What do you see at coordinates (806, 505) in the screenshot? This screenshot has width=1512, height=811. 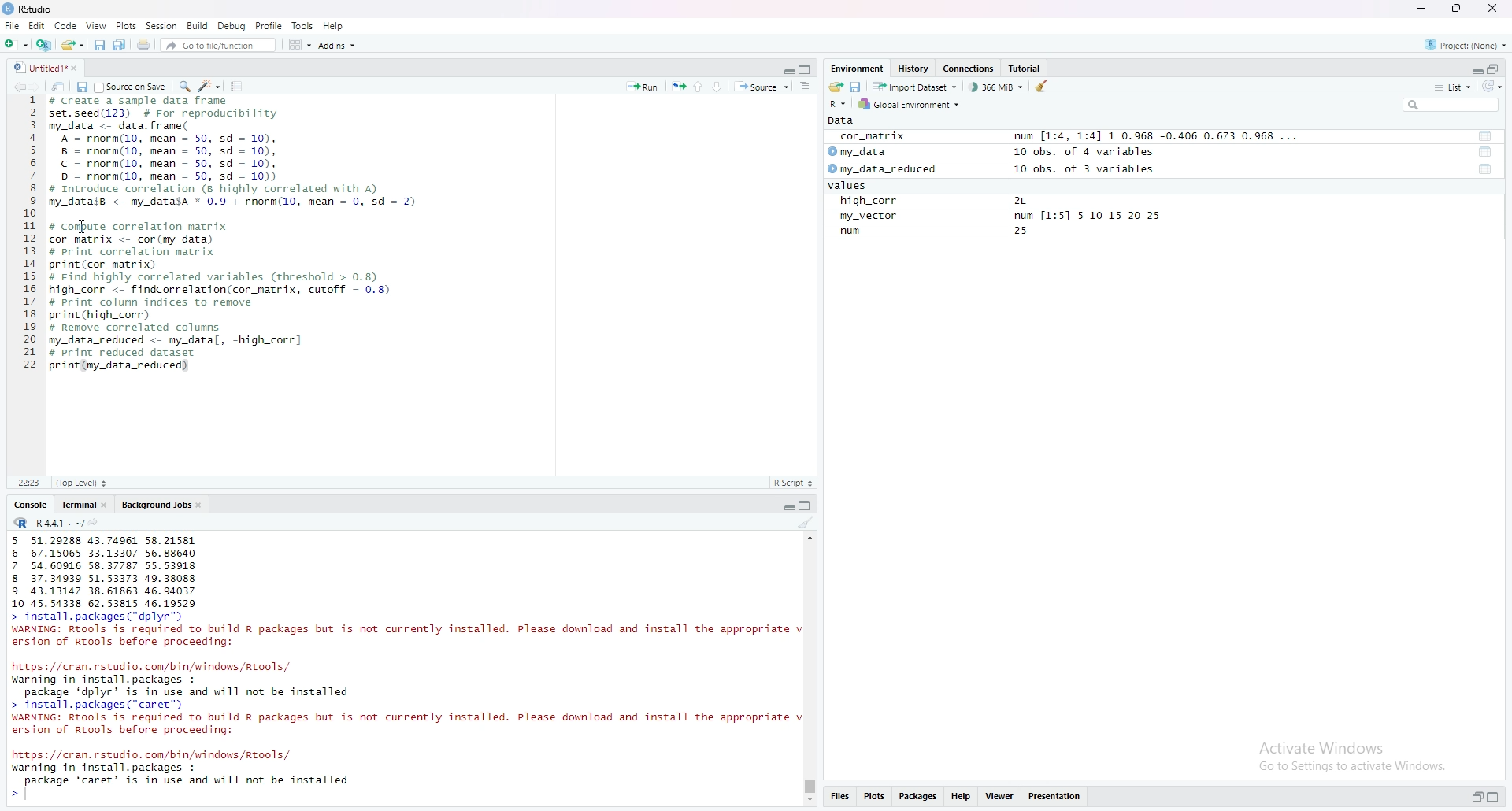 I see `copy` at bounding box center [806, 505].